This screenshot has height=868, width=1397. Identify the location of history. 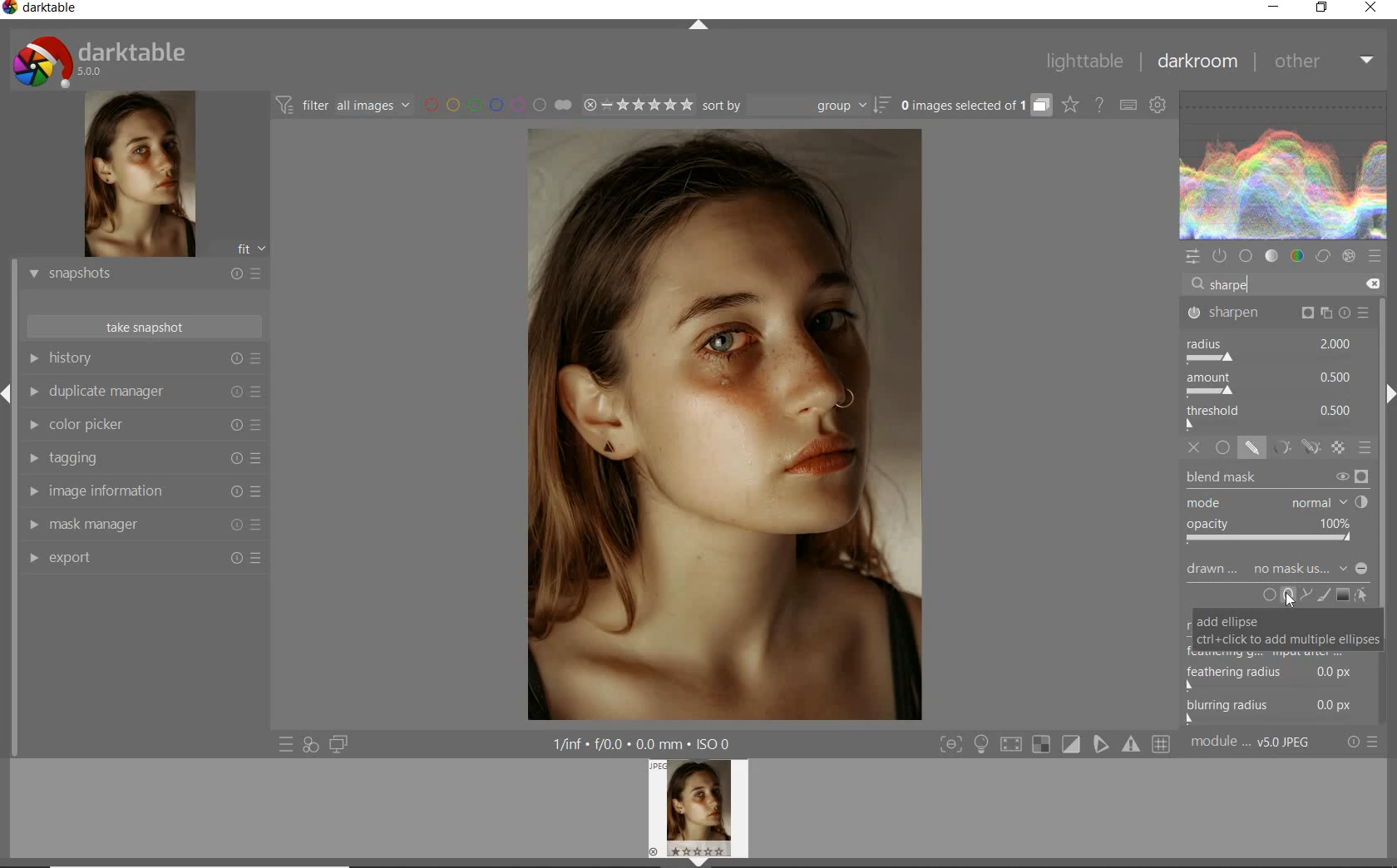
(144, 359).